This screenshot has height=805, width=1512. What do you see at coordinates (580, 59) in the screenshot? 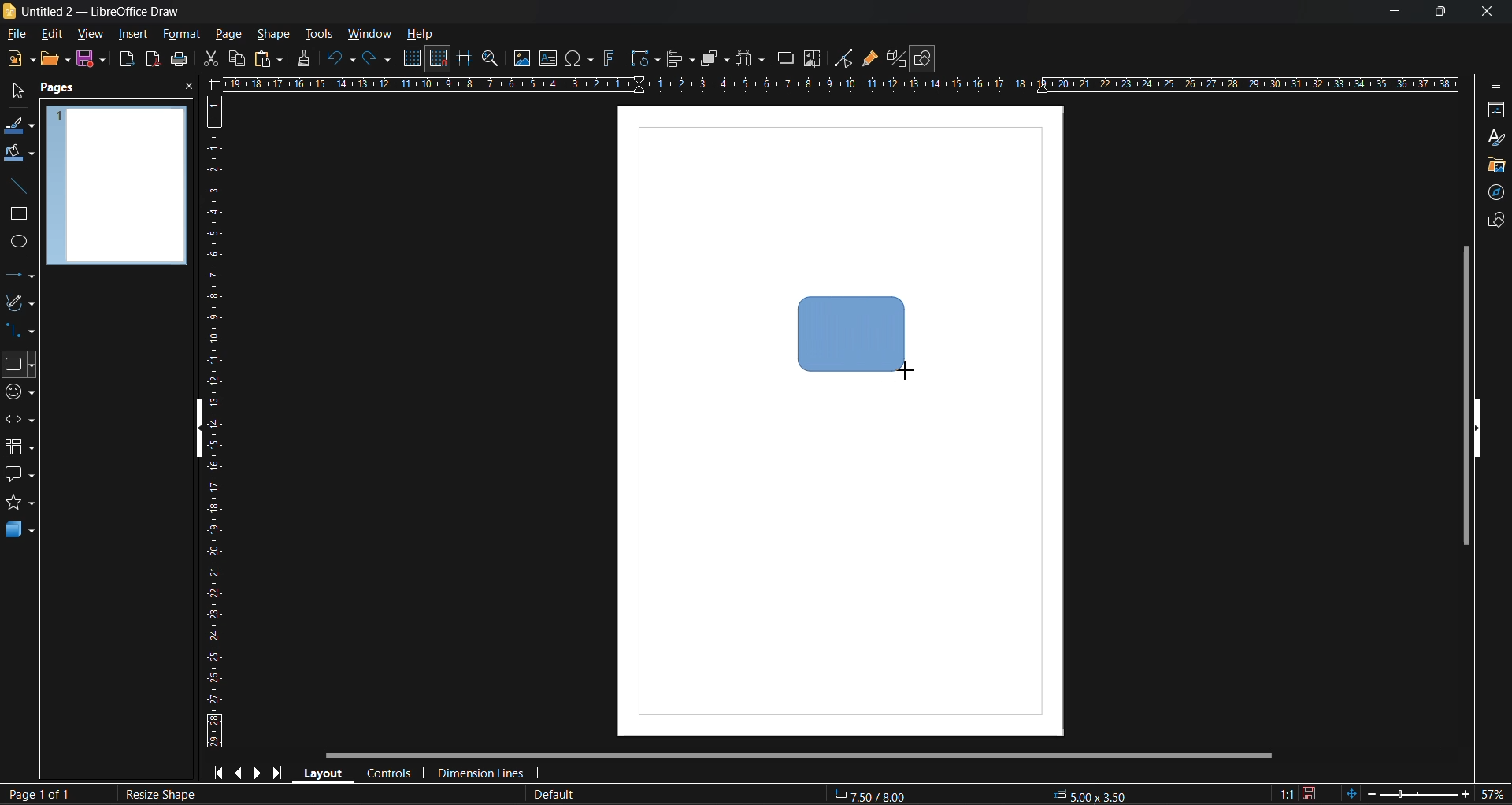
I see `special characters` at bounding box center [580, 59].